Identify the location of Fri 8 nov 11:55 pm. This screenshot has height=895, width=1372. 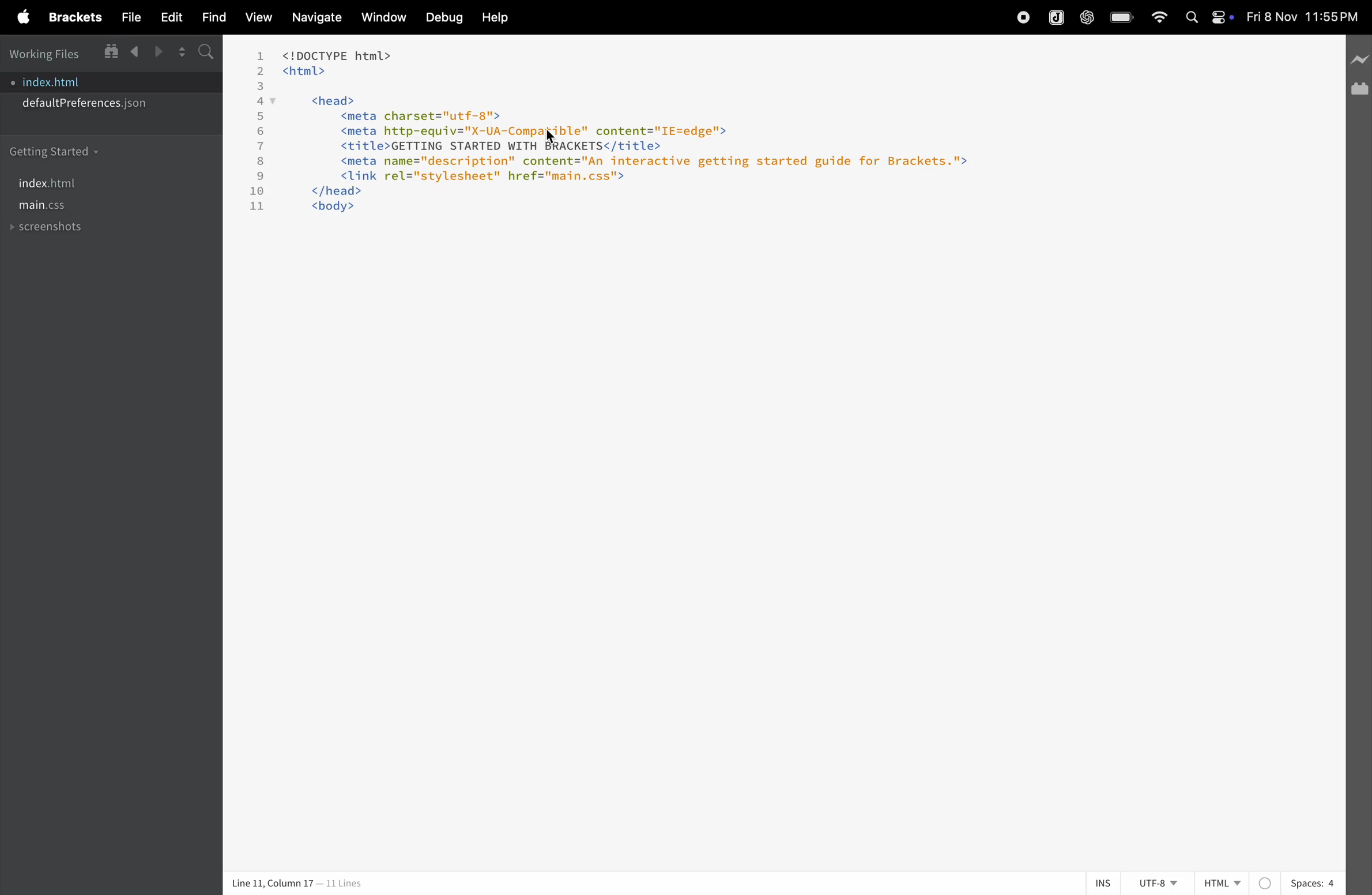
(1303, 17).